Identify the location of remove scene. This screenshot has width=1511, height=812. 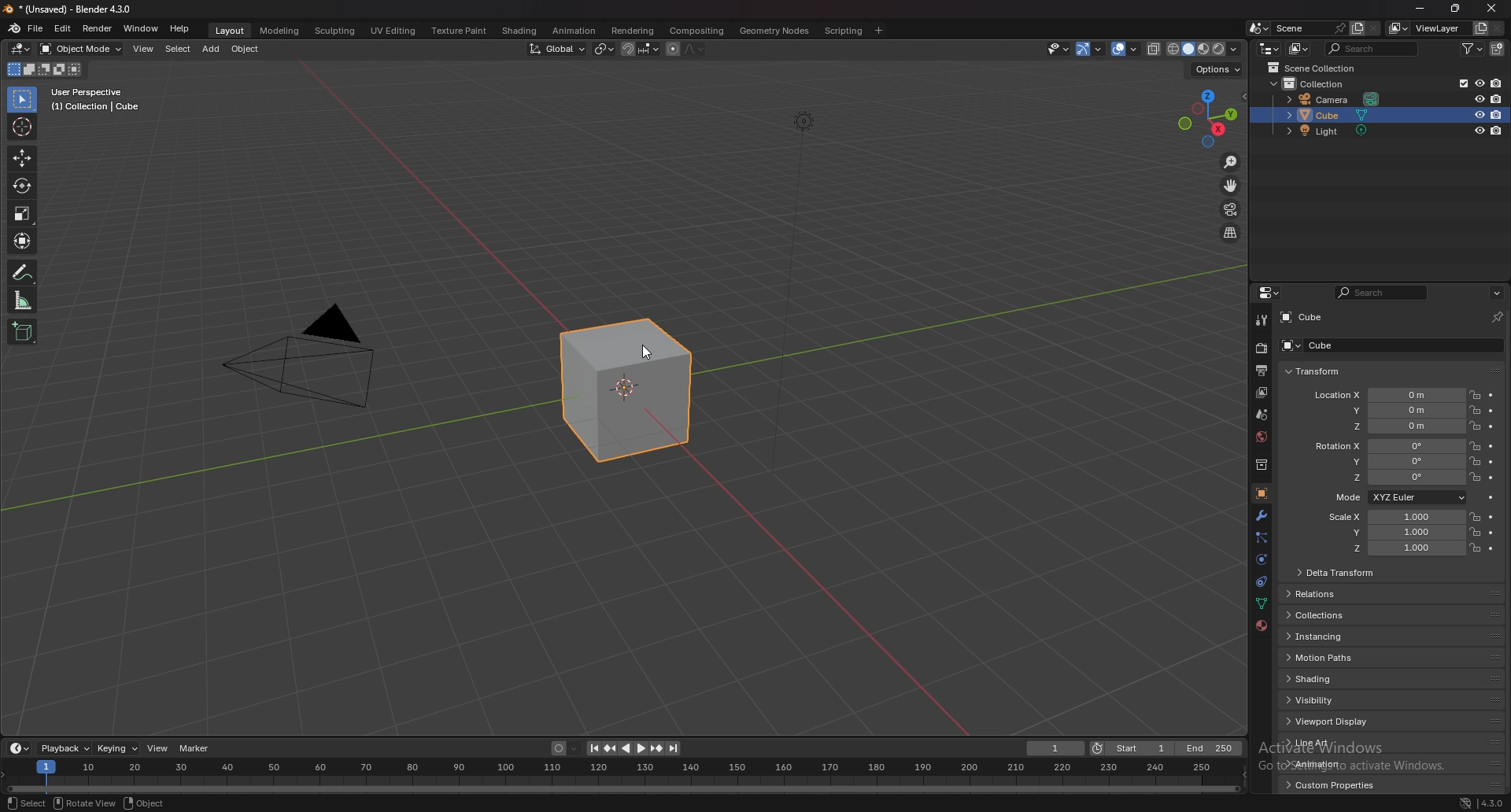
(1373, 28).